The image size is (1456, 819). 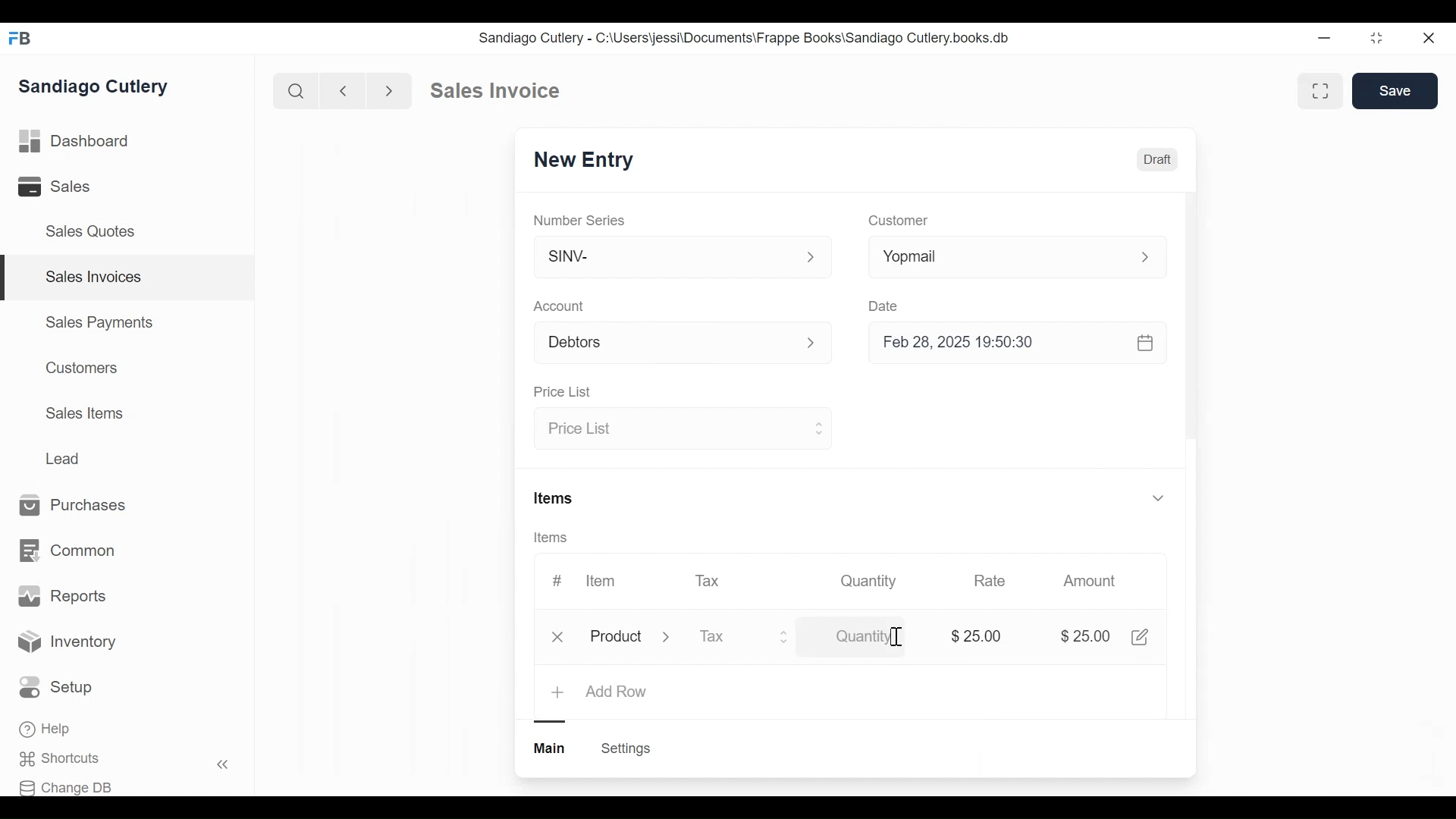 What do you see at coordinates (62, 596) in the screenshot?
I see `Reports` at bounding box center [62, 596].